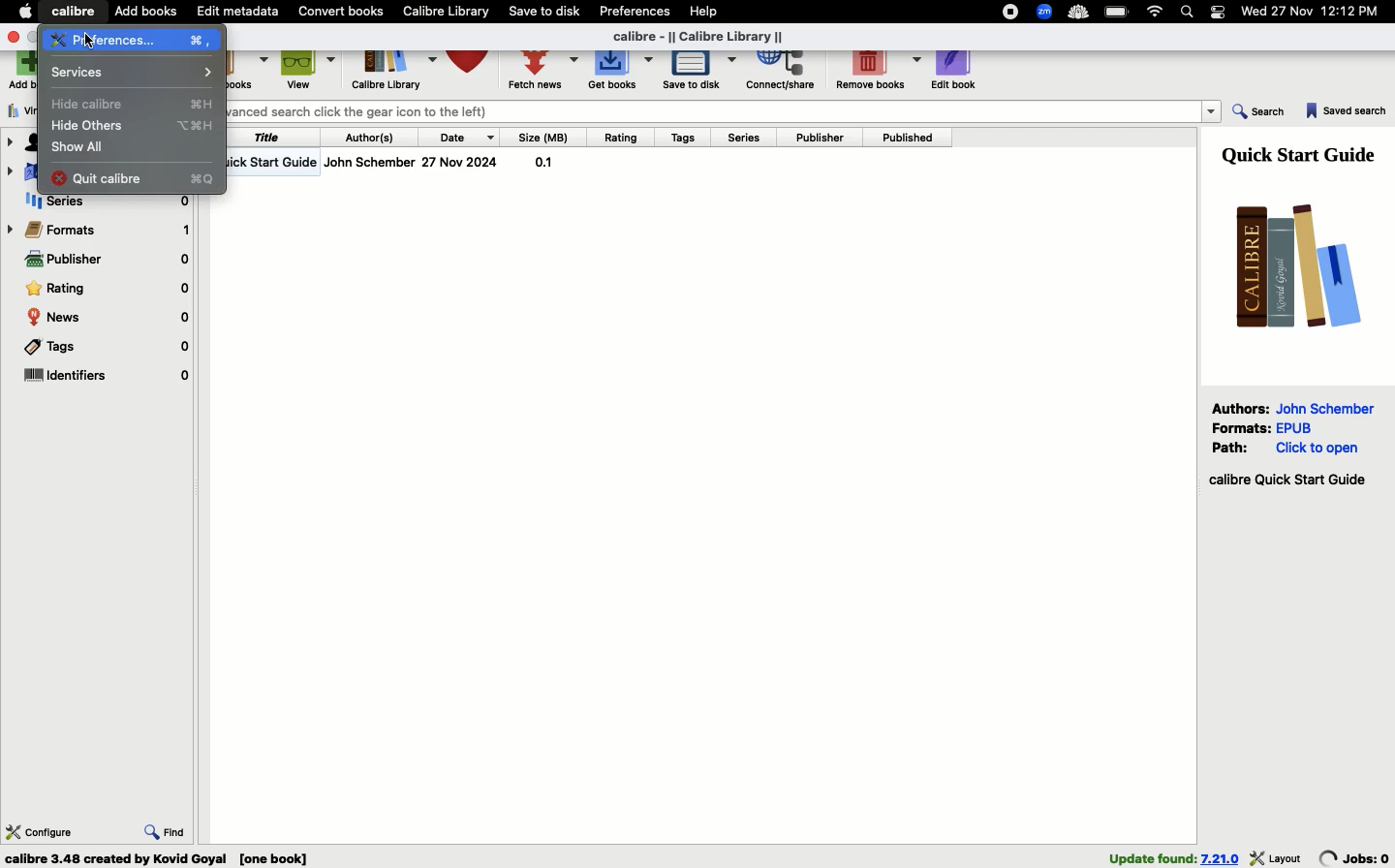  I want to click on Charge, so click(1118, 13).